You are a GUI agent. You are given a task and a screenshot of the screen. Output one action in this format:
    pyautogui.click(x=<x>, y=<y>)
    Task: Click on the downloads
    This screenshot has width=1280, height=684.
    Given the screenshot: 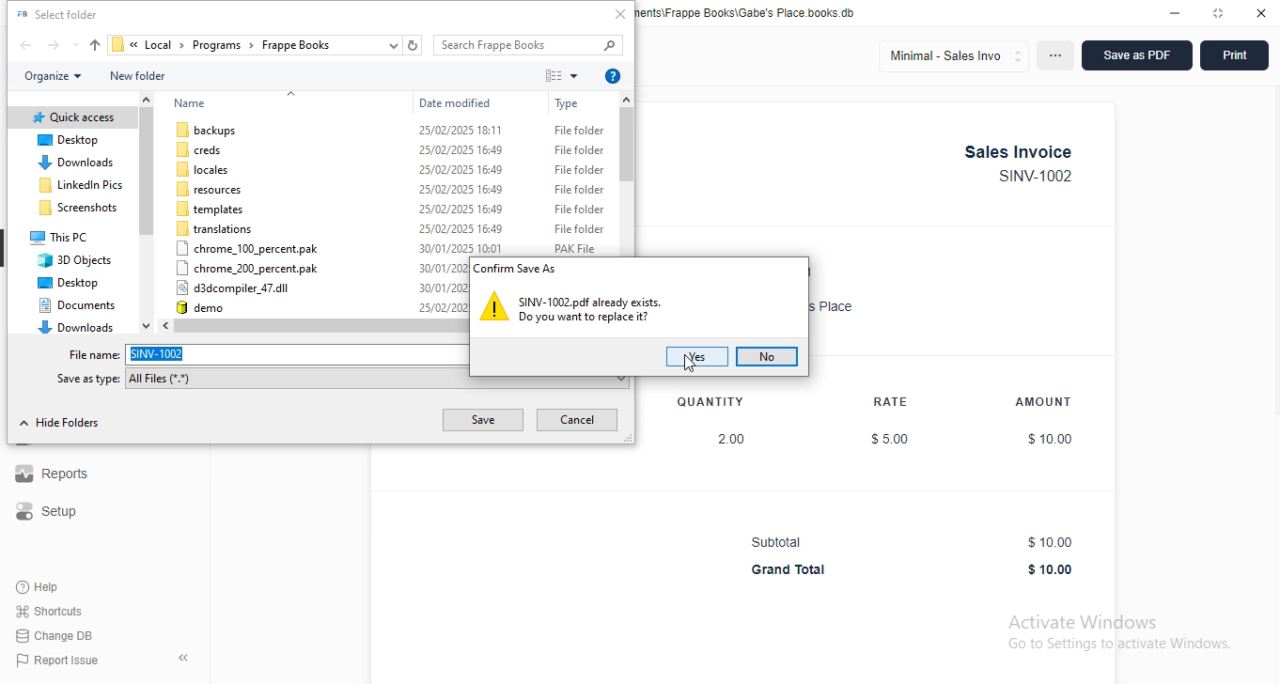 What is the action you would take?
    pyautogui.click(x=76, y=162)
    